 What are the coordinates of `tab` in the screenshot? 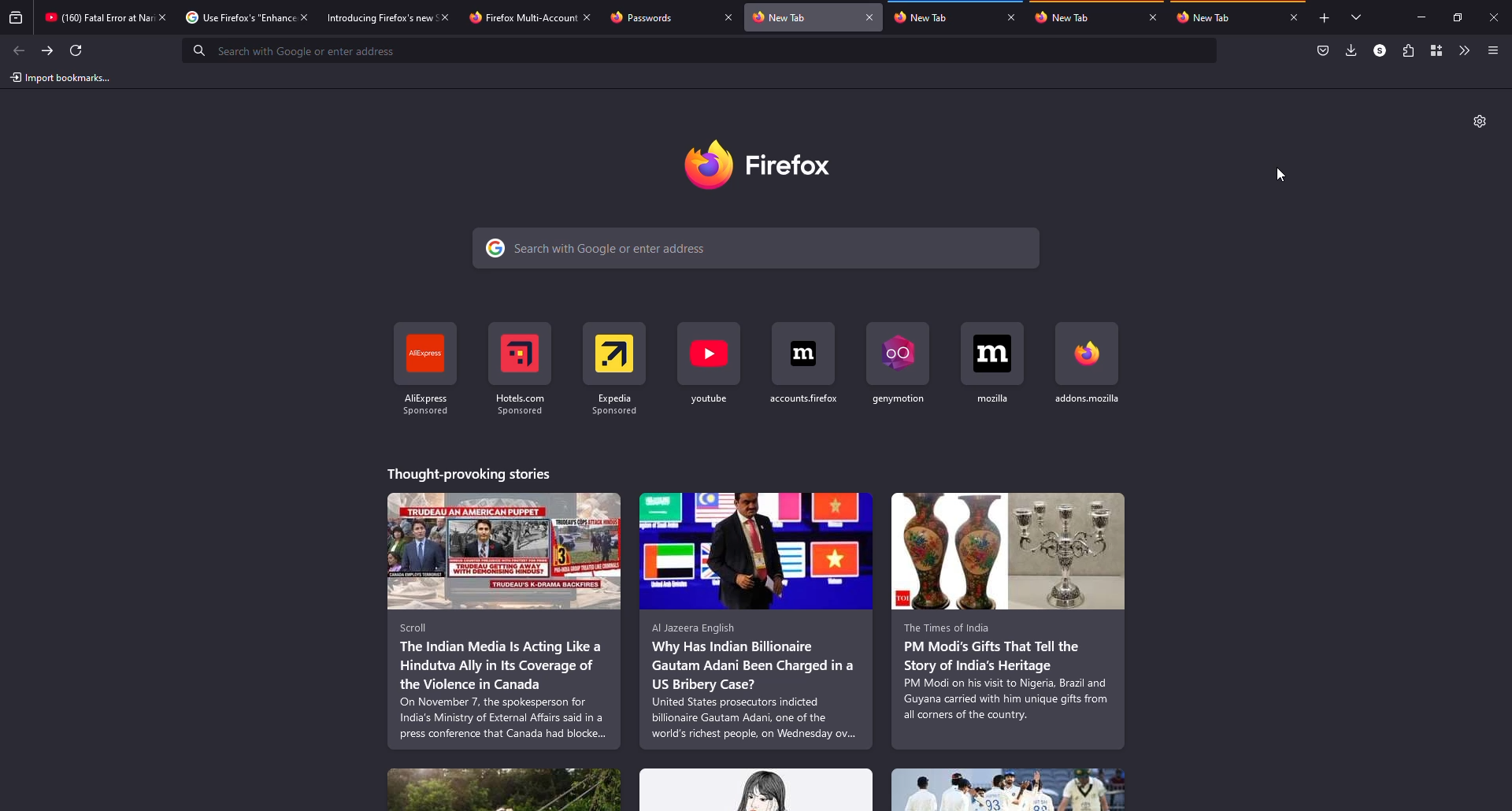 It's located at (235, 17).